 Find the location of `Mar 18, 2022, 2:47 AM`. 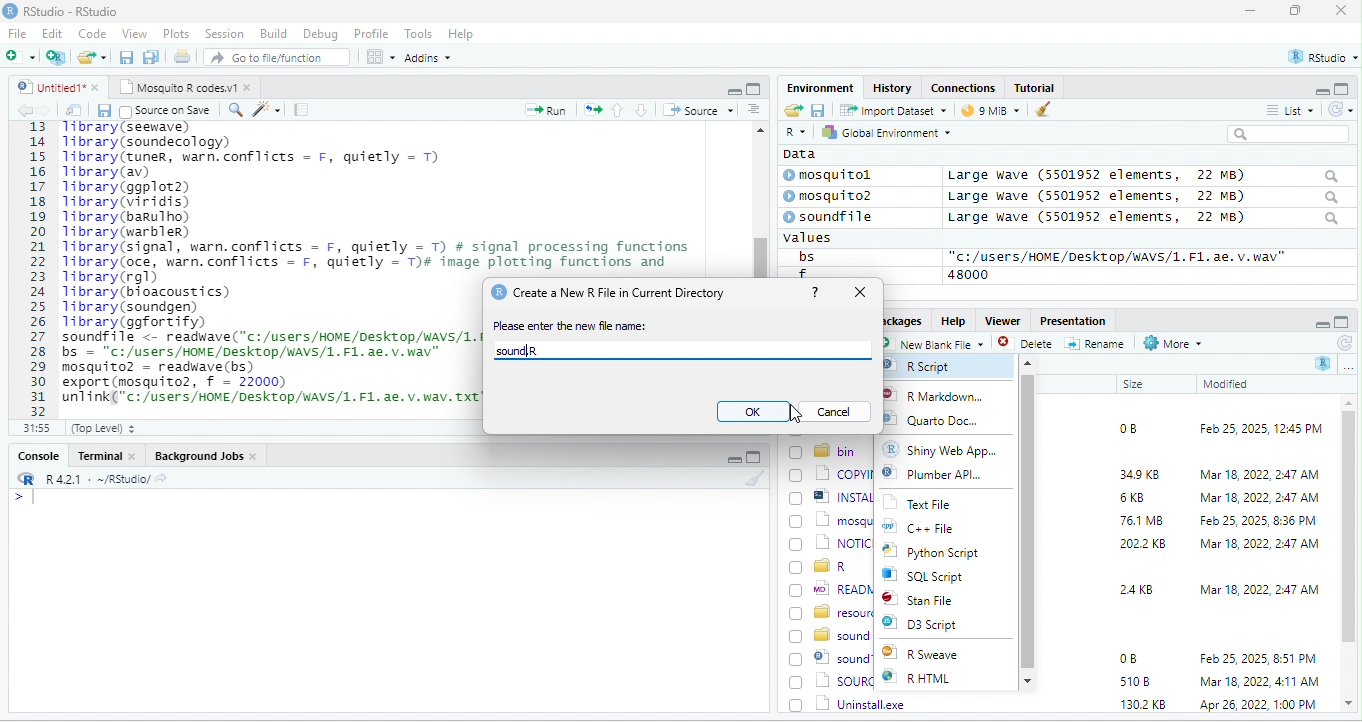

Mar 18, 2022, 2:47 AM is located at coordinates (1254, 499).